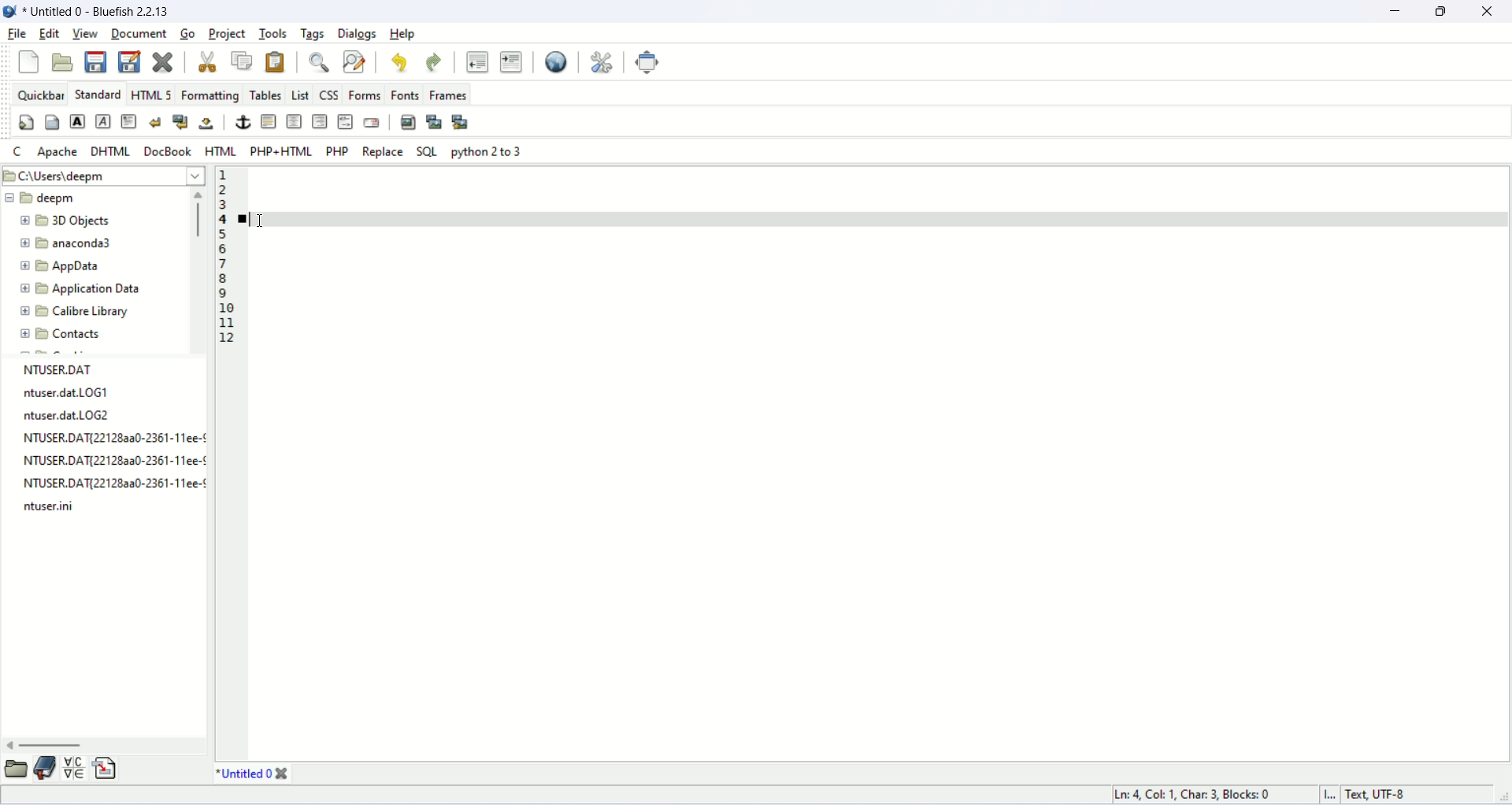 The height and width of the screenshot is (805, 1512). What do you see at coordinates (86, 33) in the screenshot?
I see `view` at bounding box center [86, 33].